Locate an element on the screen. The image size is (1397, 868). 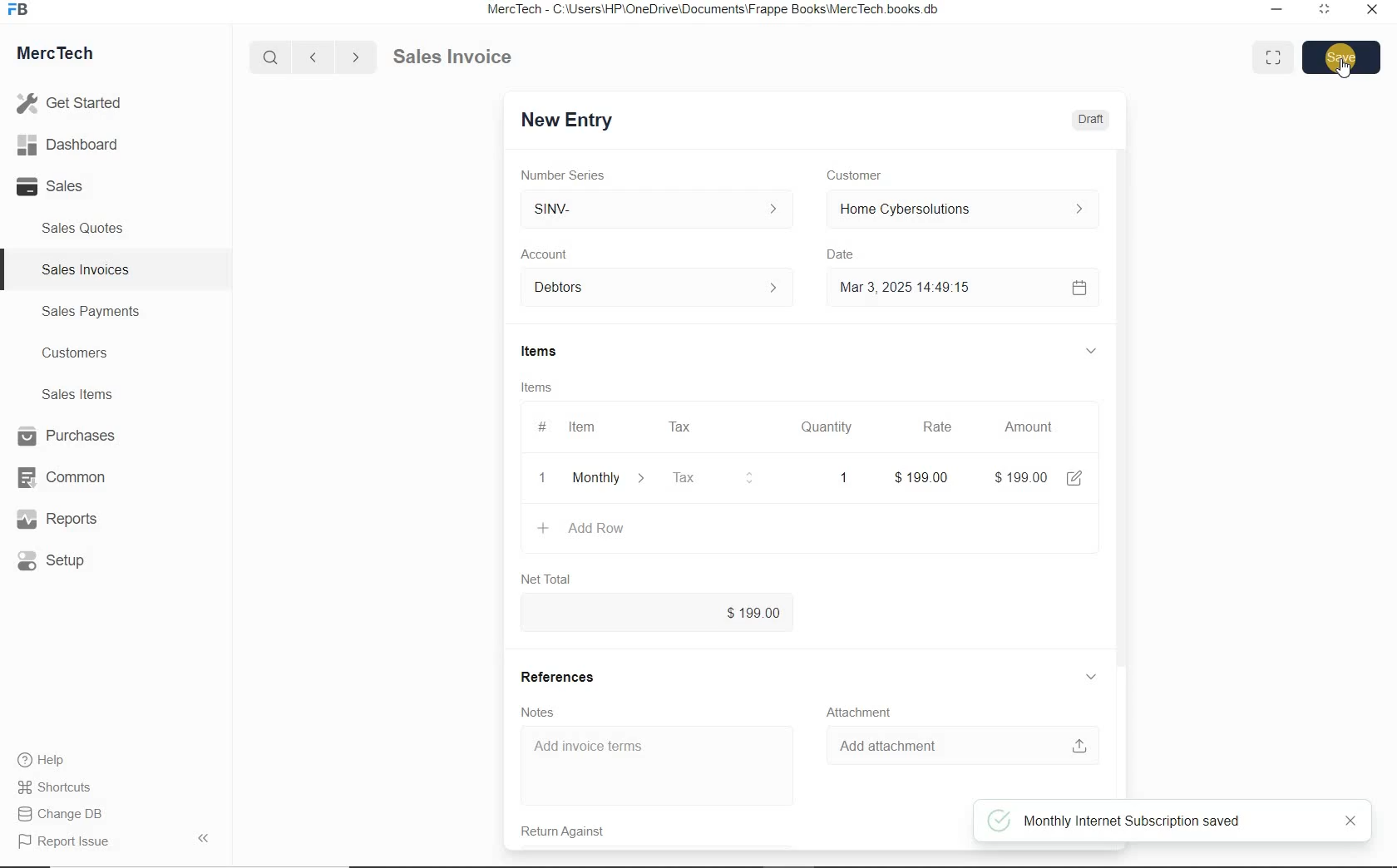
Save is located at coordinates (1340, 57).